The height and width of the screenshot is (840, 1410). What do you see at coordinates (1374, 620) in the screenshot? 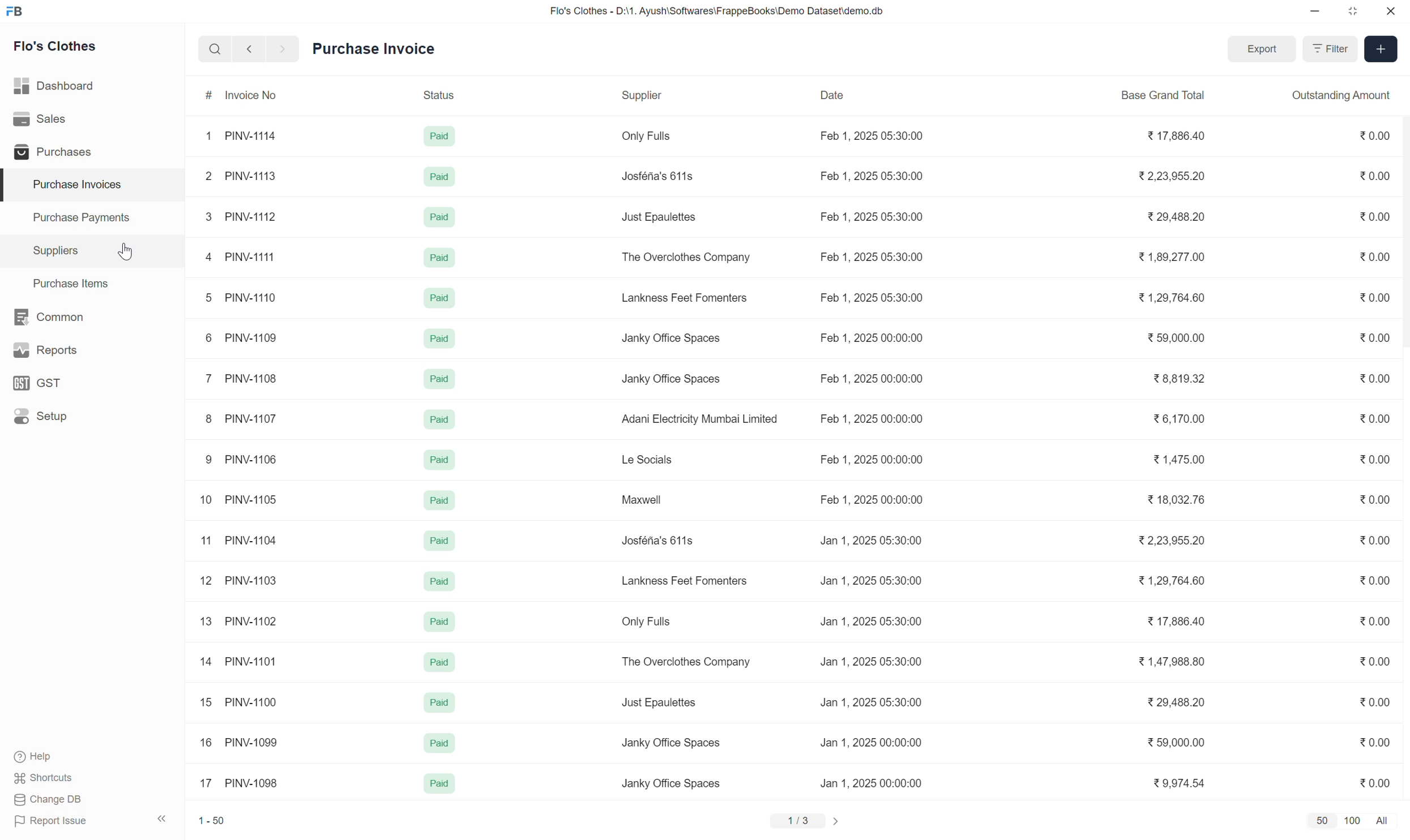
I see `0.00` at bounding box center [1374, 620].